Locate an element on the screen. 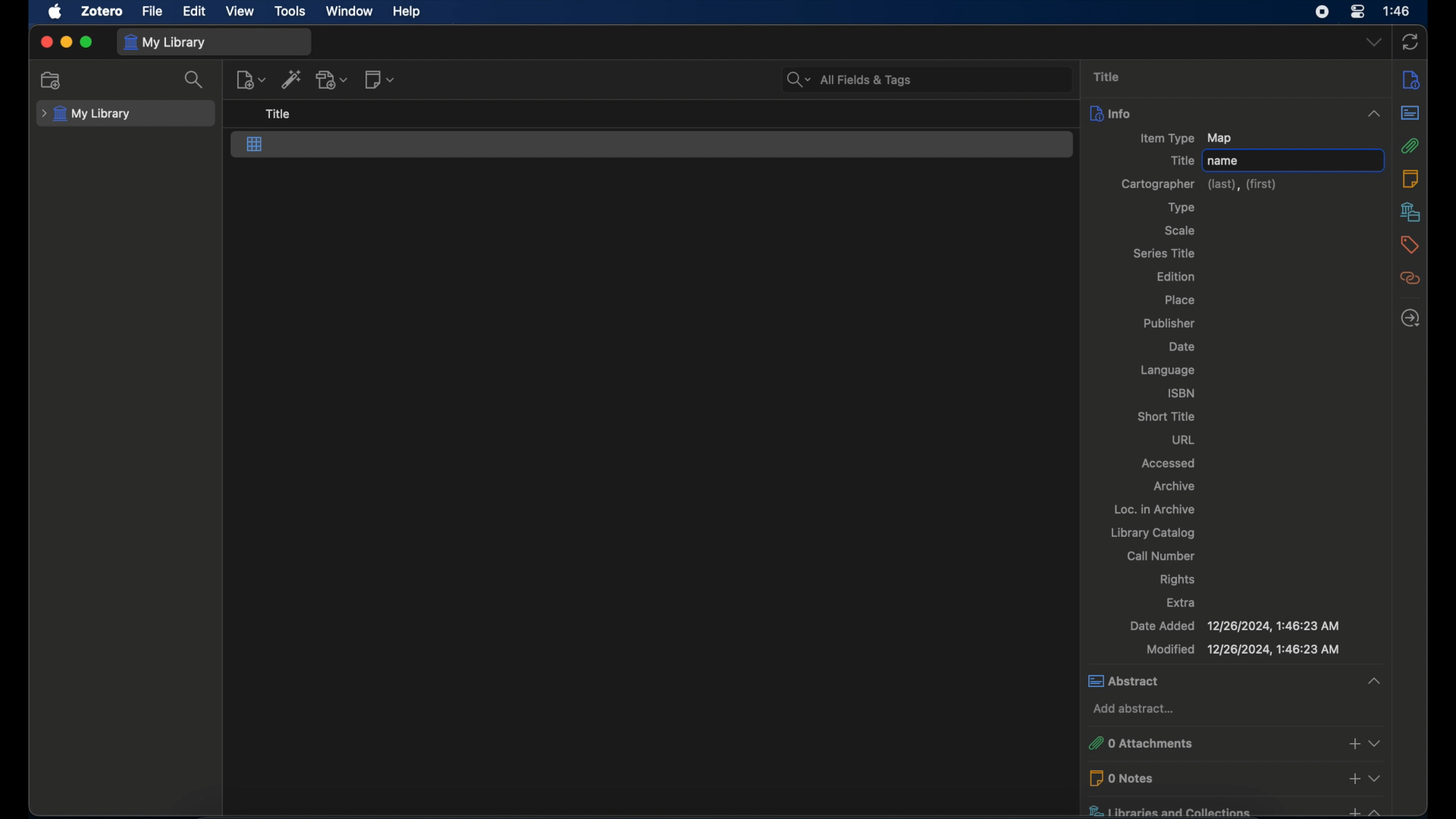 The image size is (1456, 819). screen recorder is located at coordinates (1323, 12).